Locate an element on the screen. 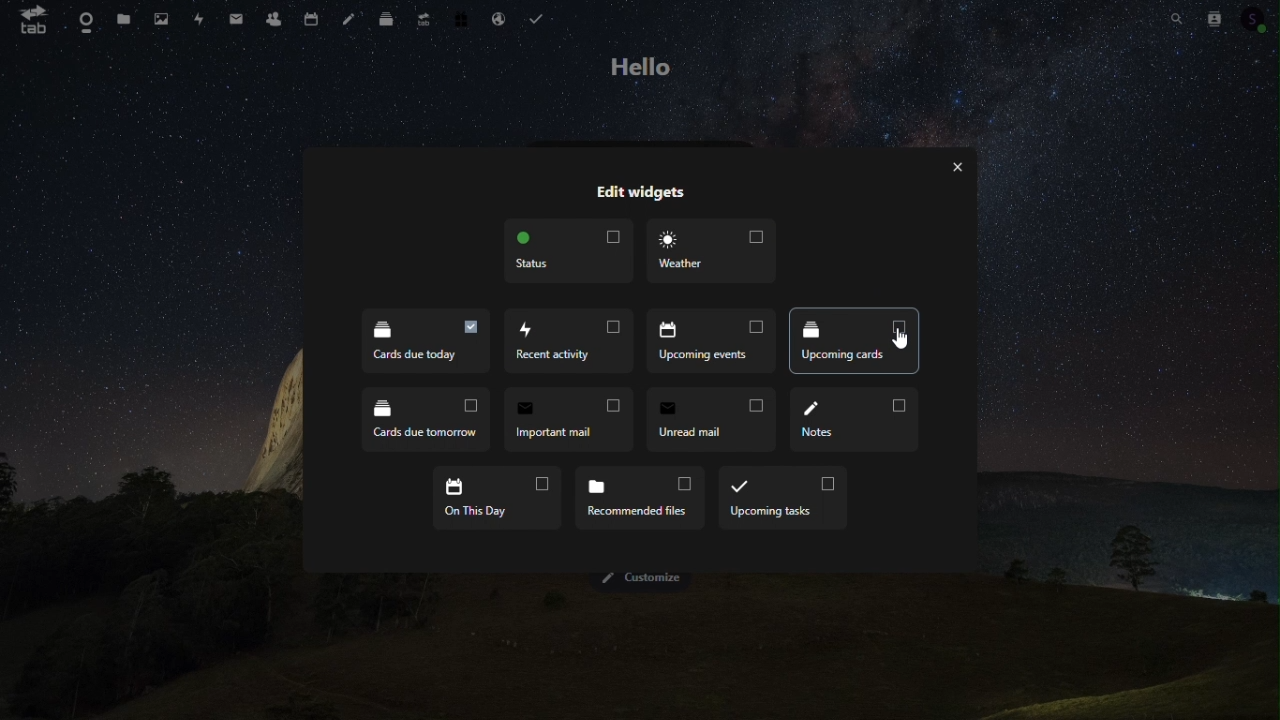 This screenshot has width=1280, height=720. Close is located at coordinates (956, 168).